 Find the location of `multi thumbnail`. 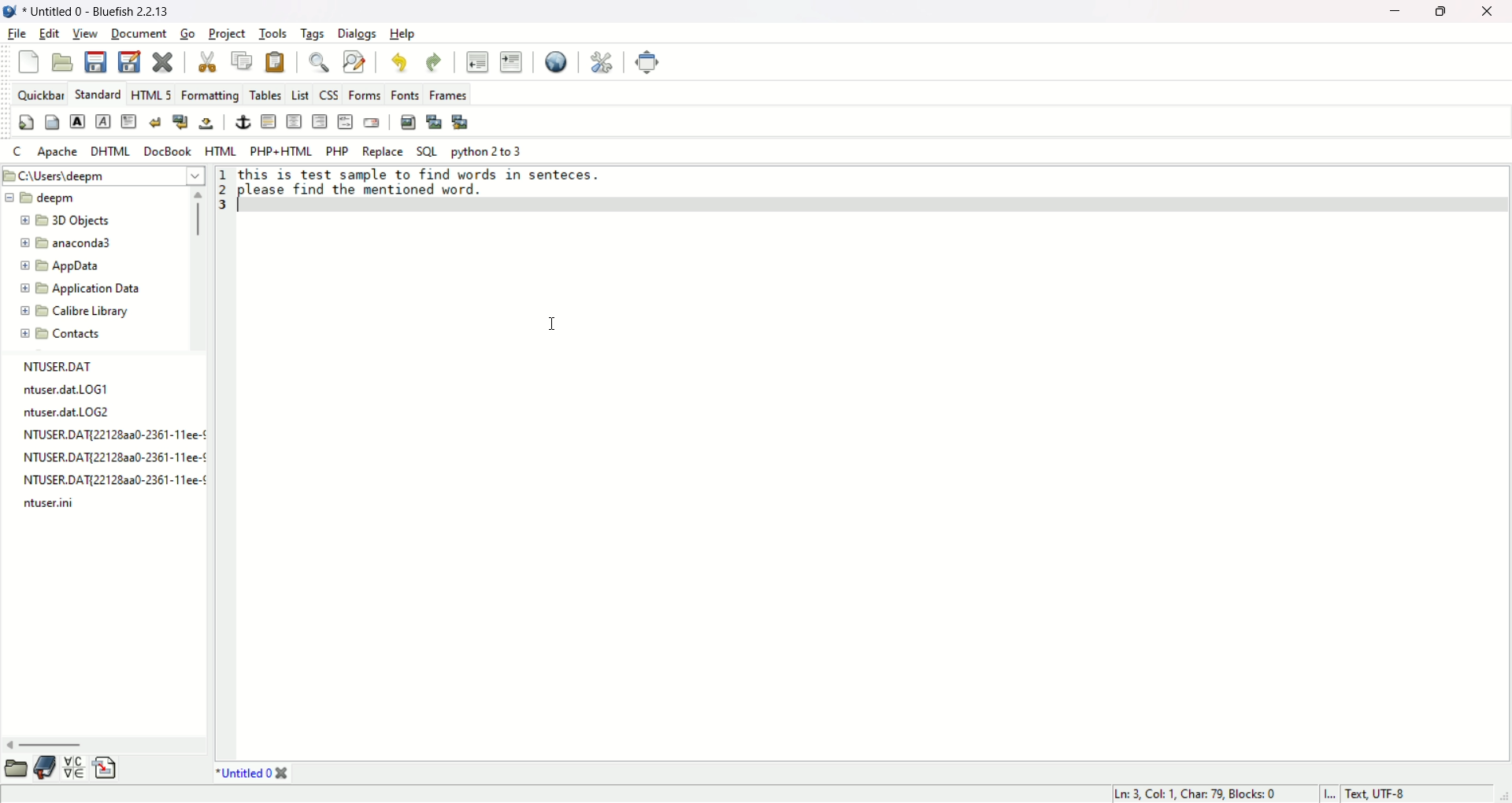

multi thumbnail is located at coordinates (463, 121).